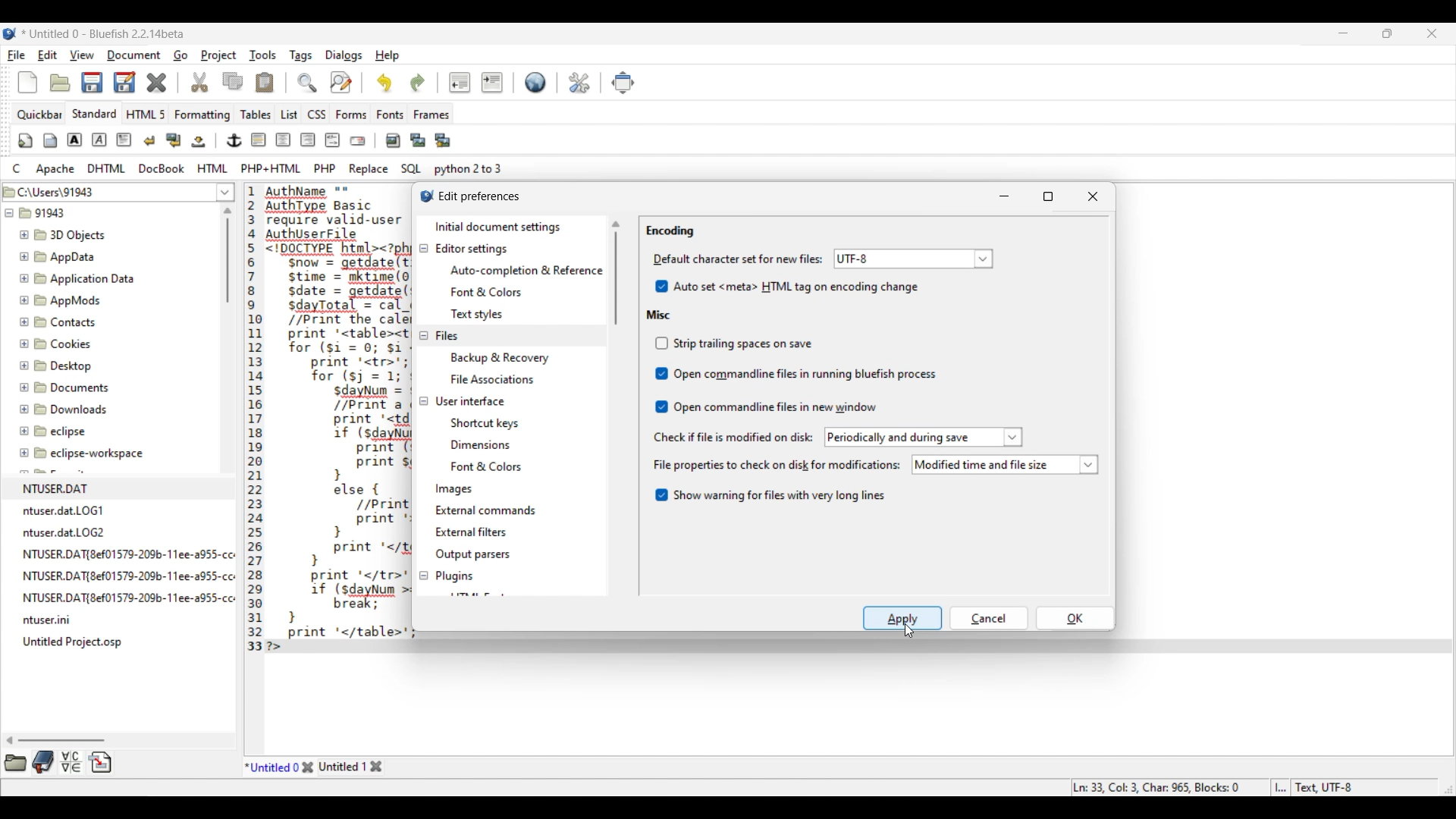  I want to click on List of folder location, so click(225, 192).